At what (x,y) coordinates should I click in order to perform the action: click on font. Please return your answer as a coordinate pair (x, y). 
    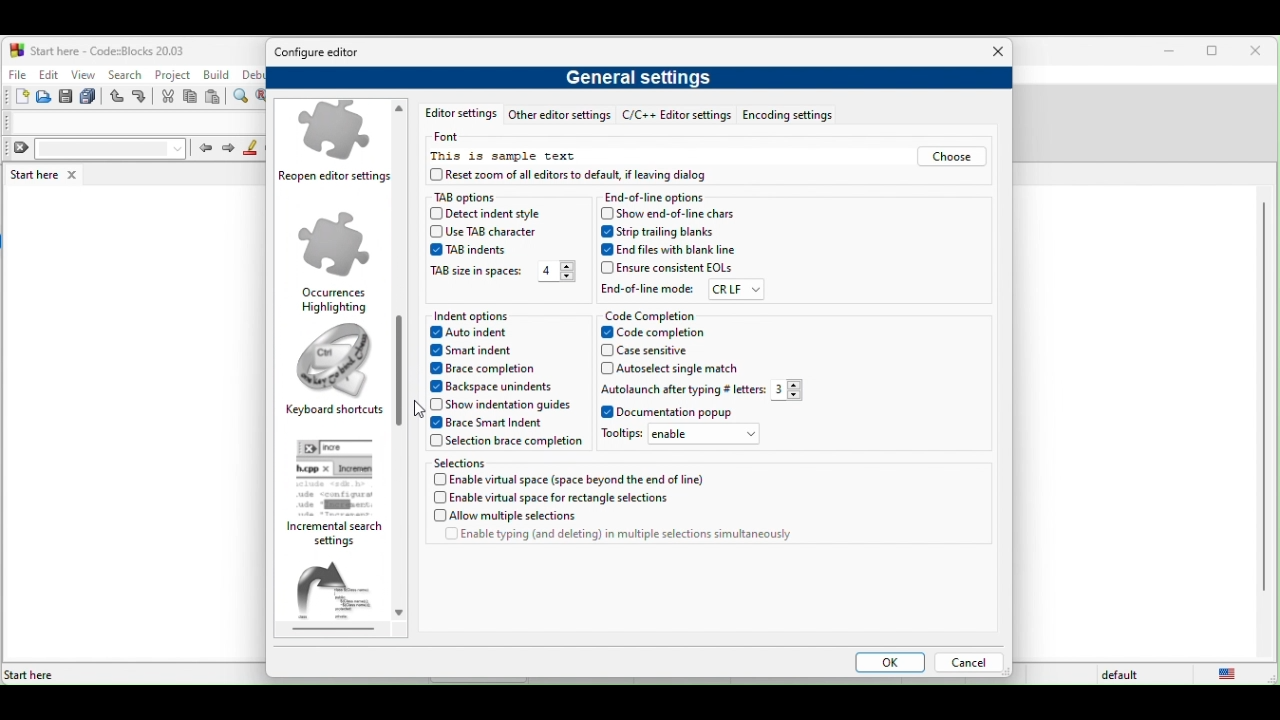
    Looking at the image, I should click on (454, 137).